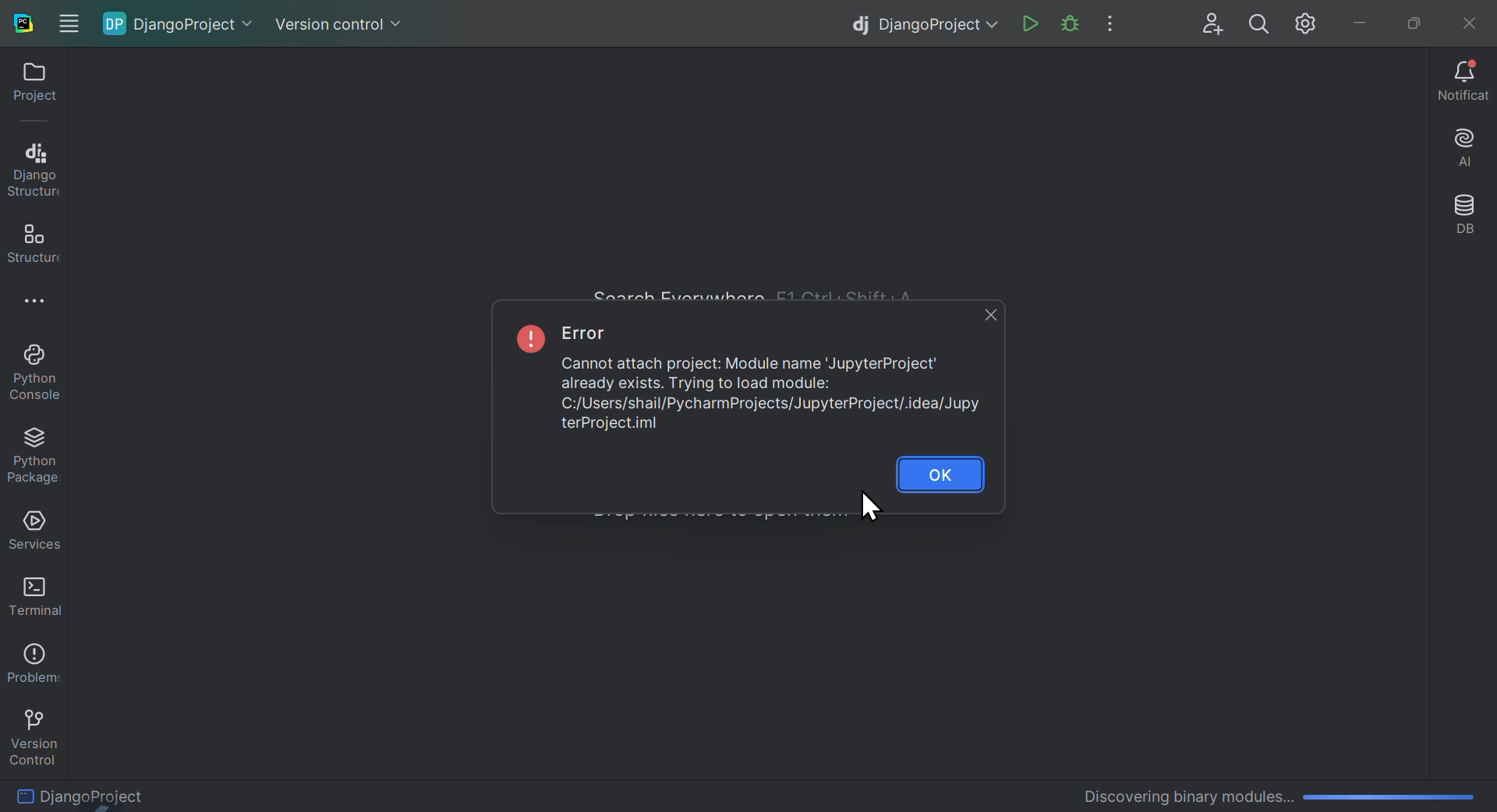 This screenshot has width=1497, height=812. Describe the element at coordinates (30, 595) in the screenshot. I see `Terminal` at that location.